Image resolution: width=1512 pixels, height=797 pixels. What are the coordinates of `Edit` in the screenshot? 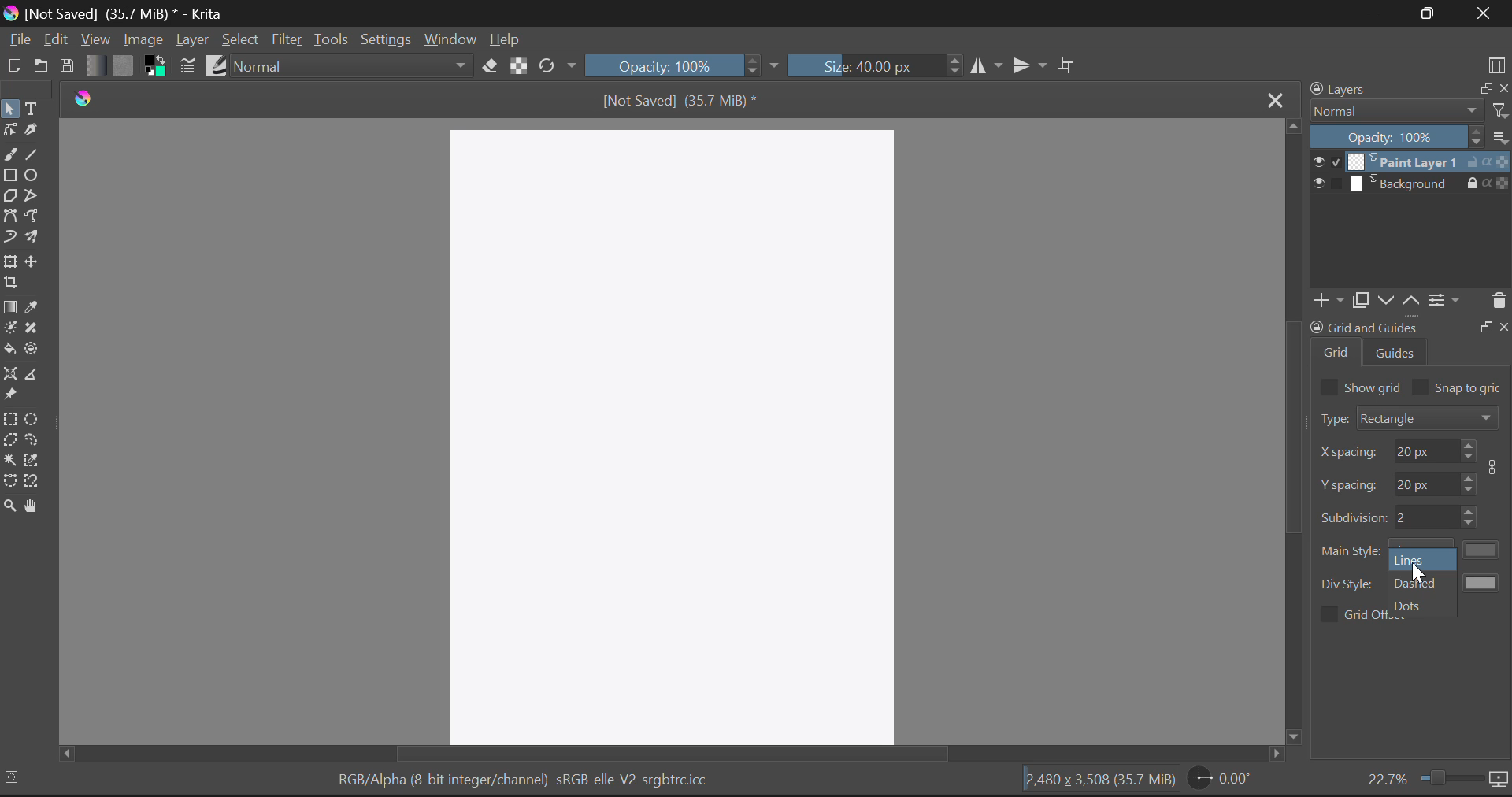 It's located at (55, 39).